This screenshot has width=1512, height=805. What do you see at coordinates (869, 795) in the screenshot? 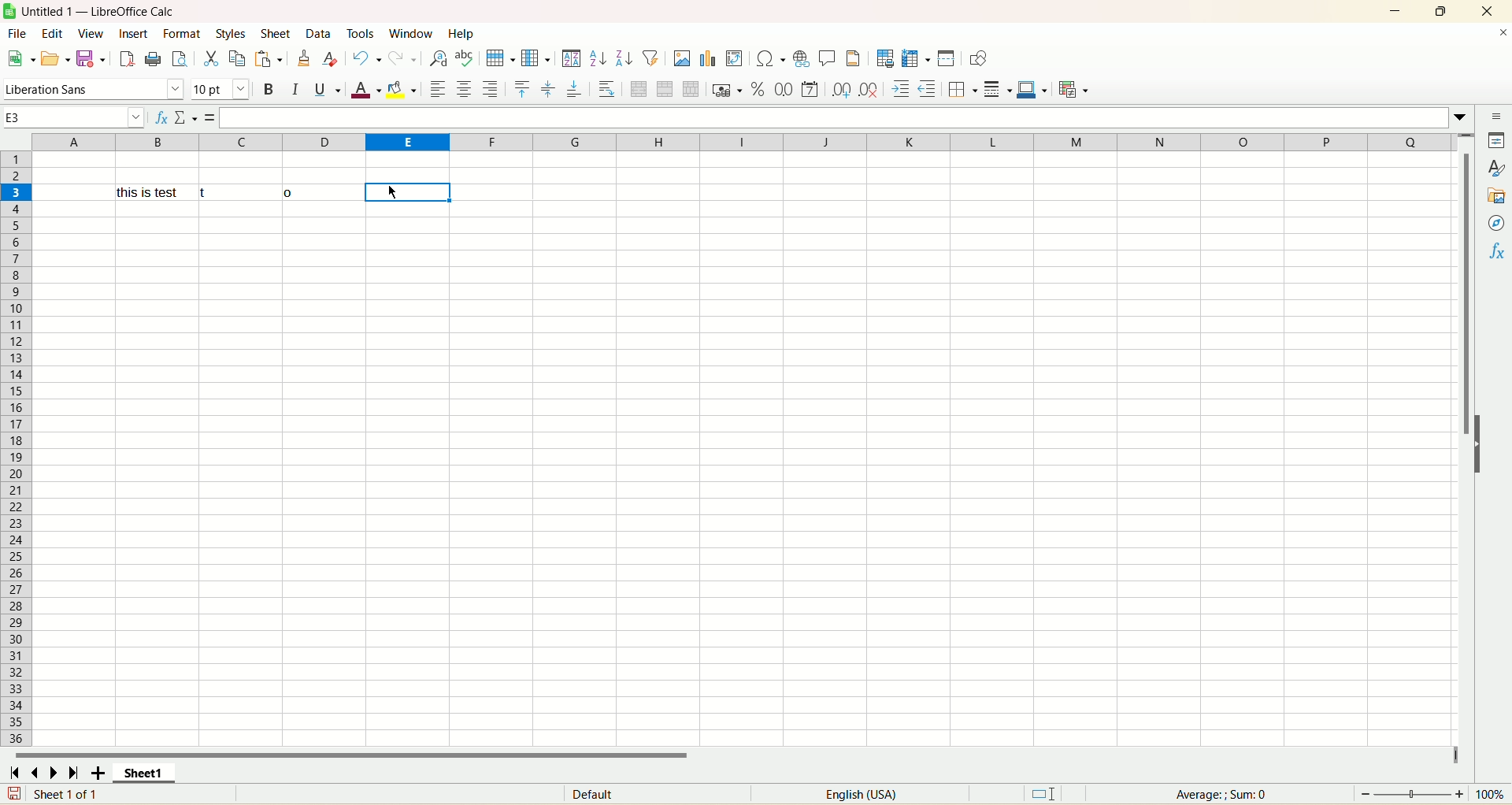
I see `language` at bounding box center [869, 795].